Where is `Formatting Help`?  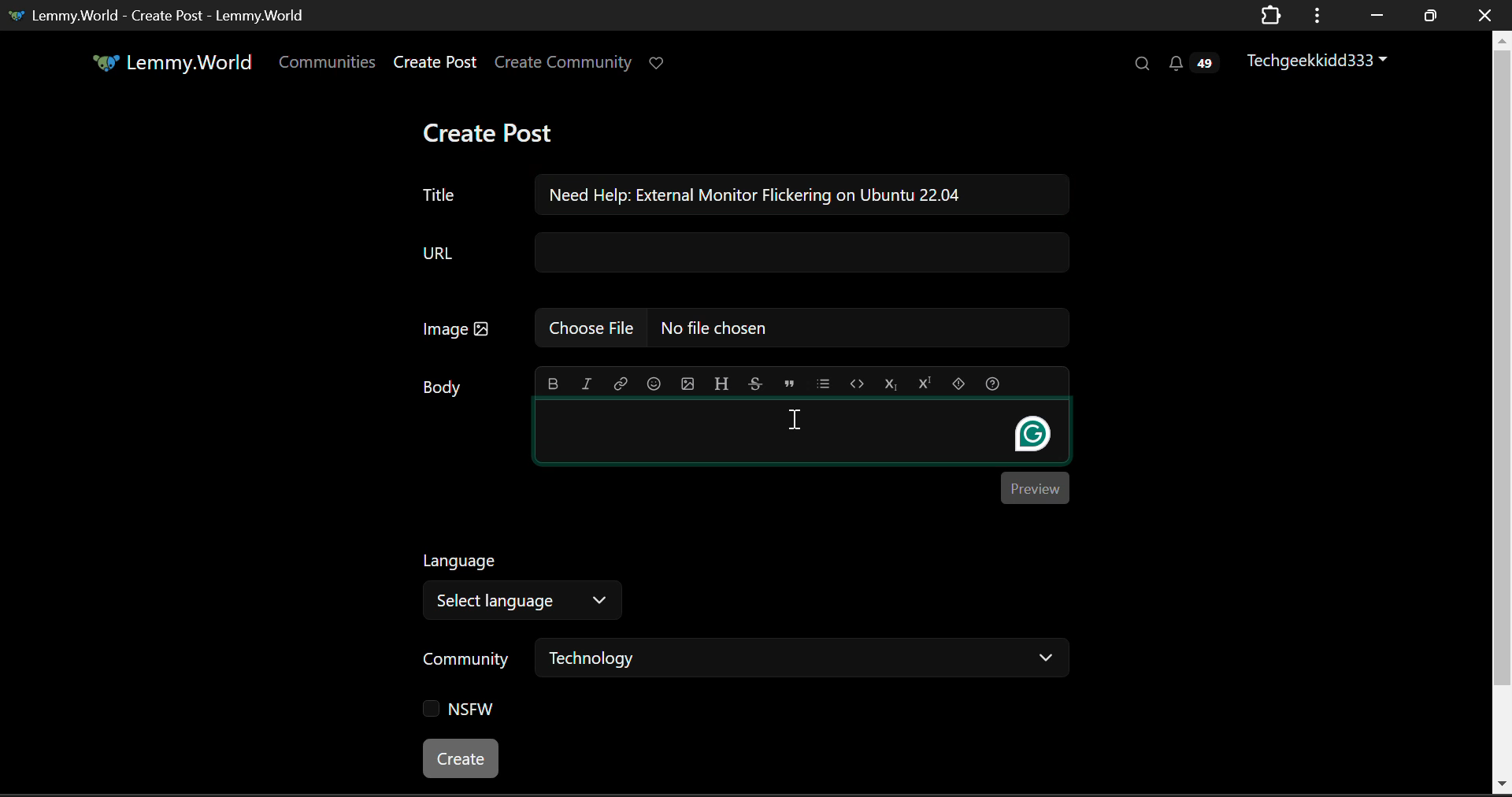
Formatting Help is located at coordinates (993, 384).